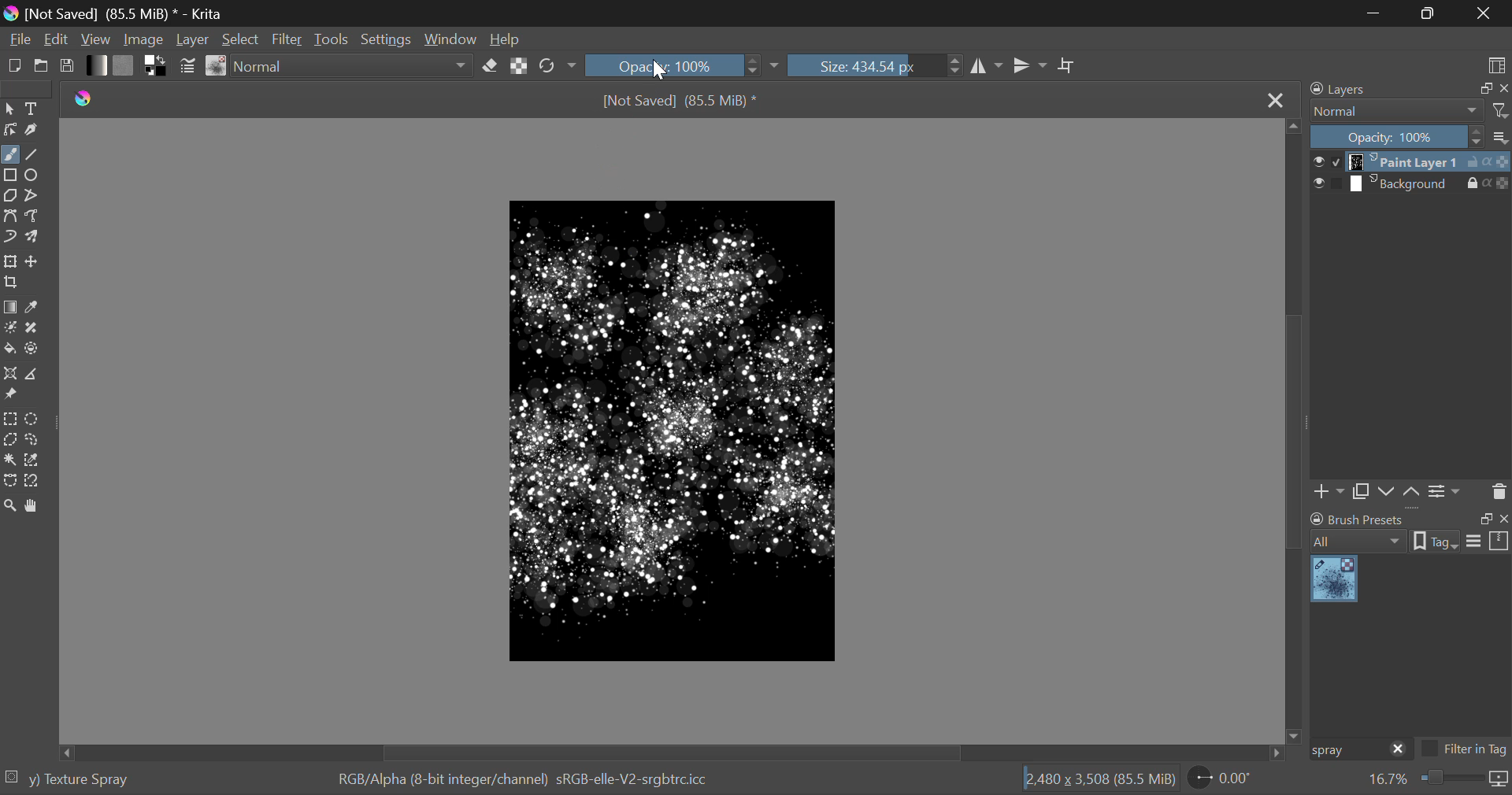  Describe the element at coordinates (1295, 429) in the screenshot. I see `Scroll Bar` at that location.